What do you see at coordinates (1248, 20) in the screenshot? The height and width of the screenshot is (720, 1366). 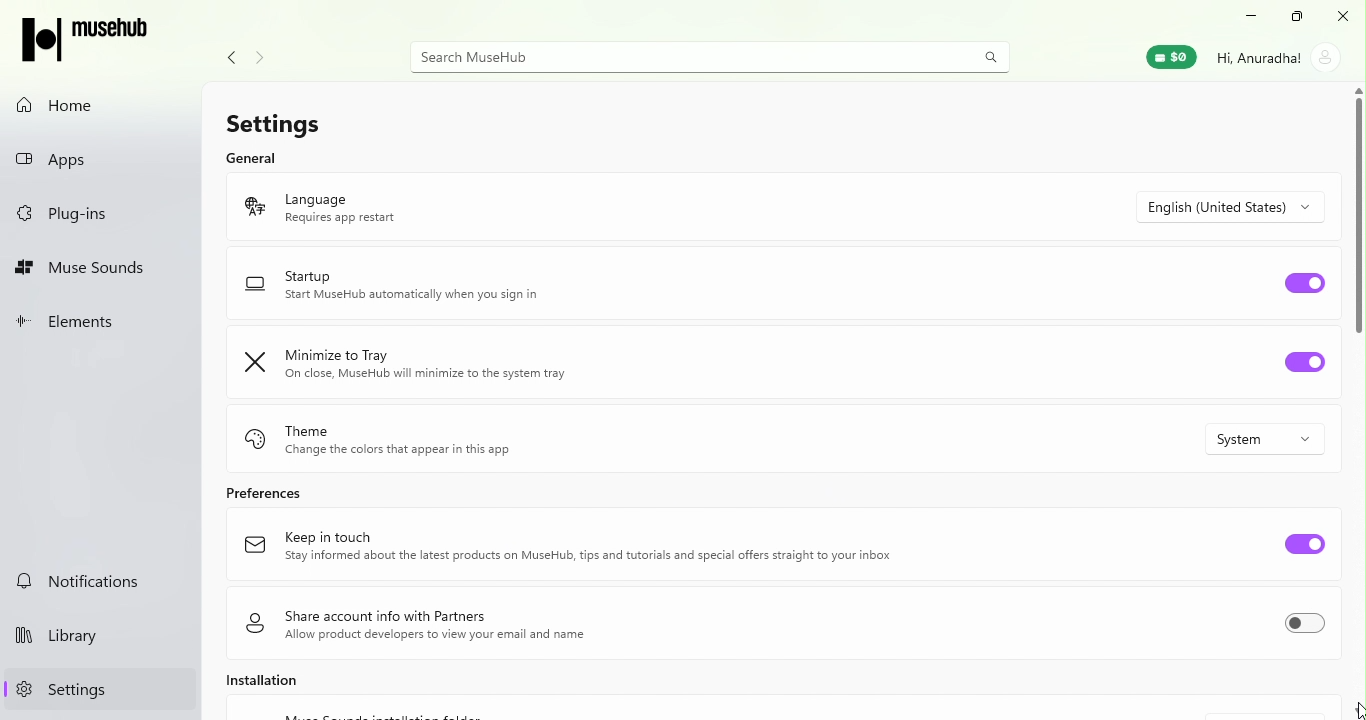 I see `Minimize` at bounding box center [1248, 20].